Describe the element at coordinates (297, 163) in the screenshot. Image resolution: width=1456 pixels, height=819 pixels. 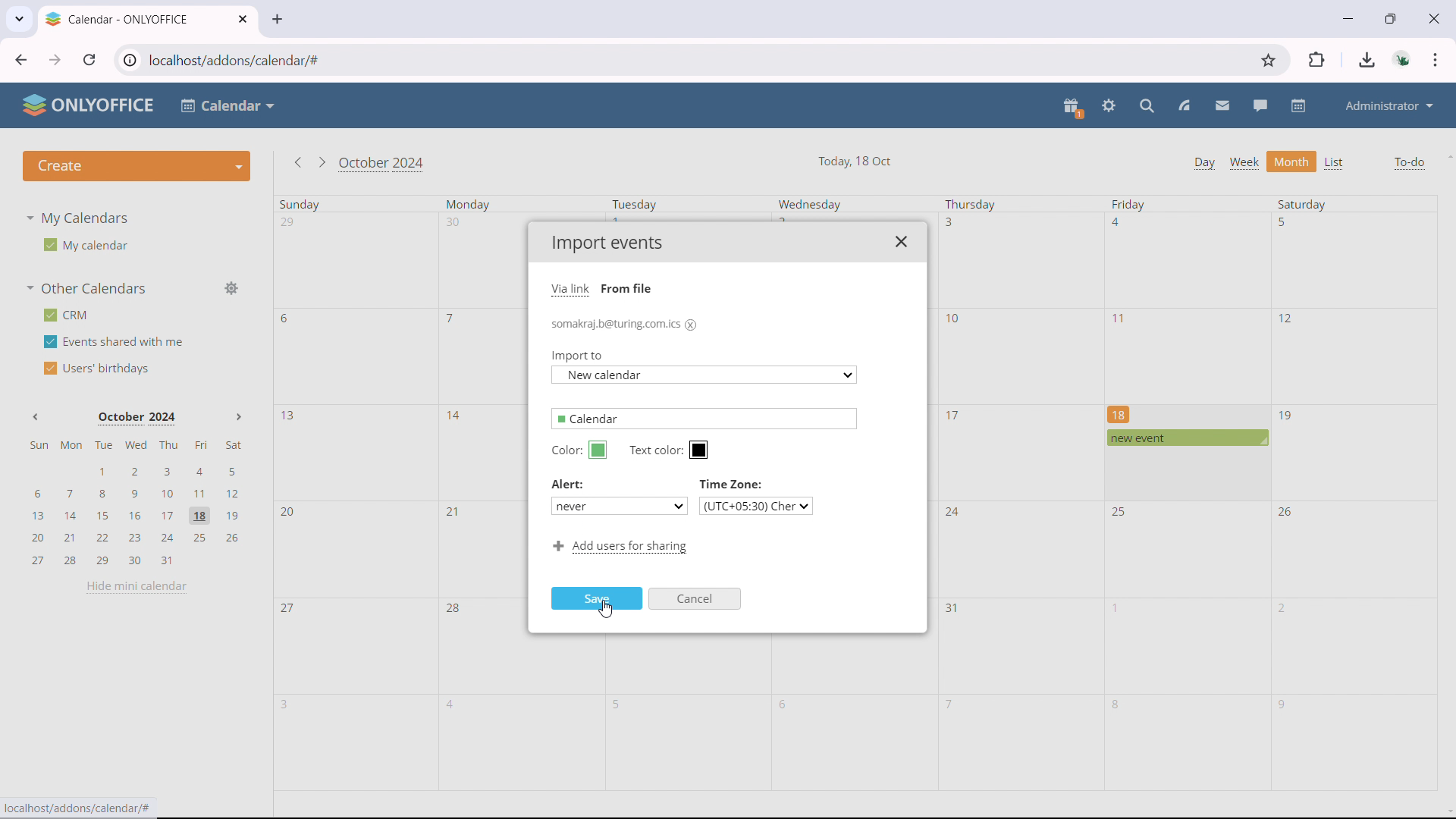
I see `go to previous month` at that location.